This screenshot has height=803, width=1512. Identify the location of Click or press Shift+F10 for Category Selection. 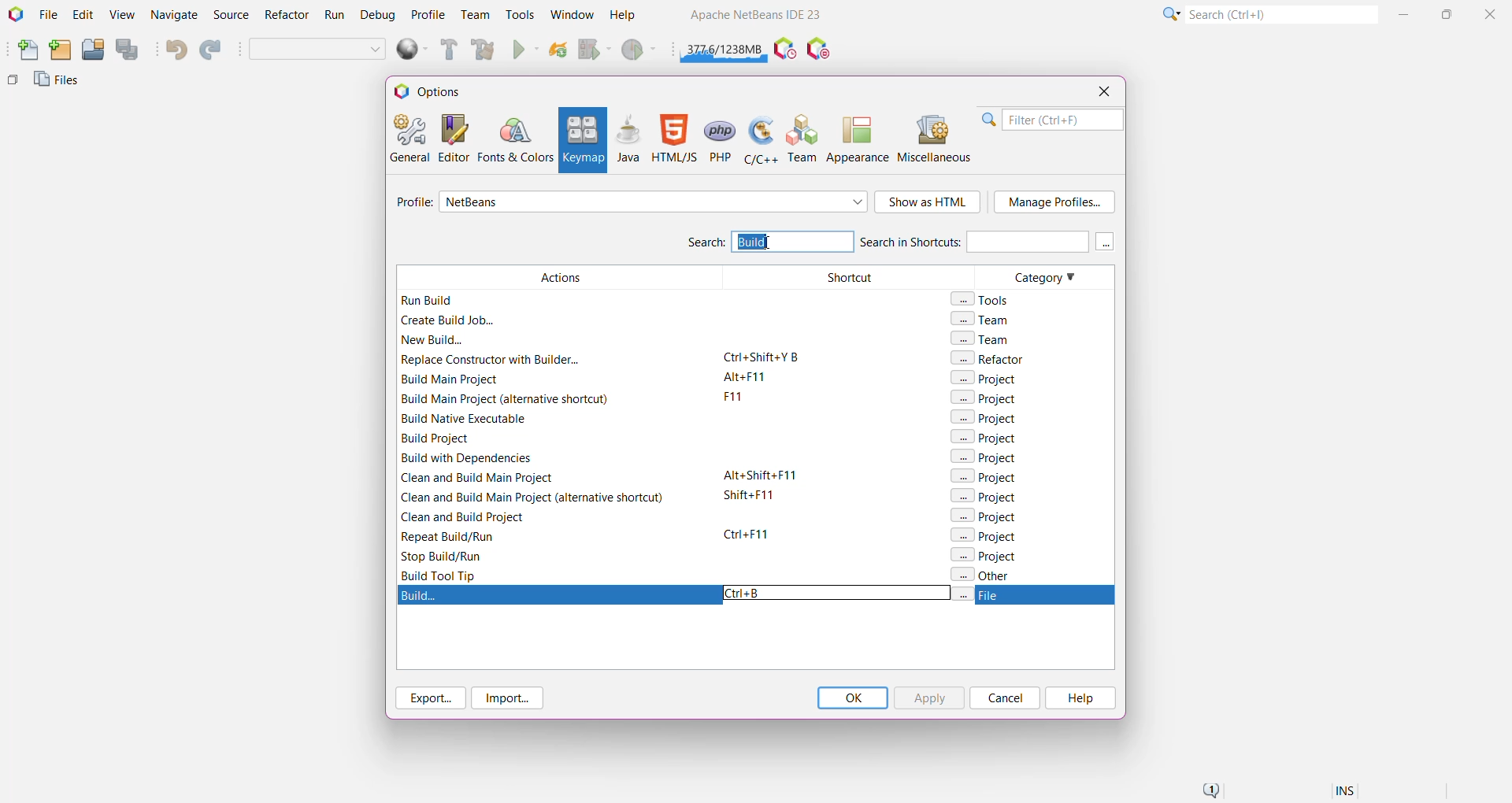
(1169, 13).